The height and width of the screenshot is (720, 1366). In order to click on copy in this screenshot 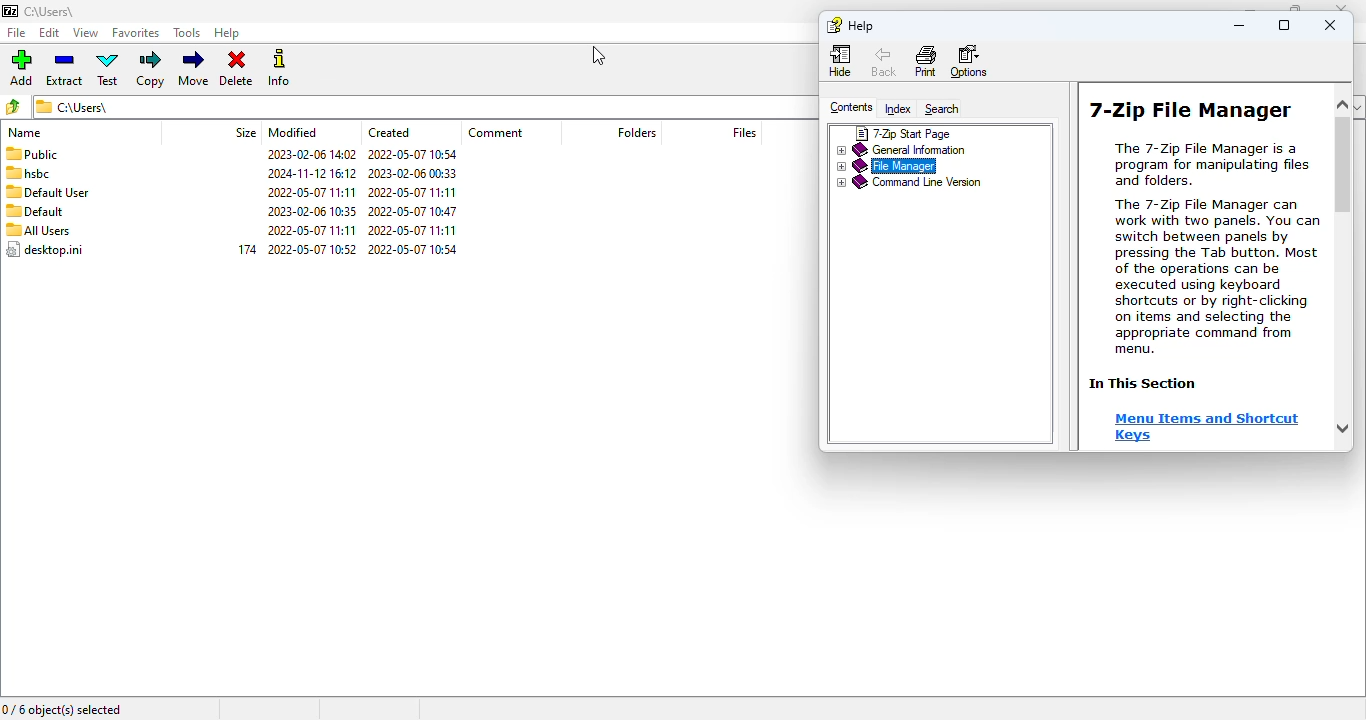, I will do `click(150, 70)`.